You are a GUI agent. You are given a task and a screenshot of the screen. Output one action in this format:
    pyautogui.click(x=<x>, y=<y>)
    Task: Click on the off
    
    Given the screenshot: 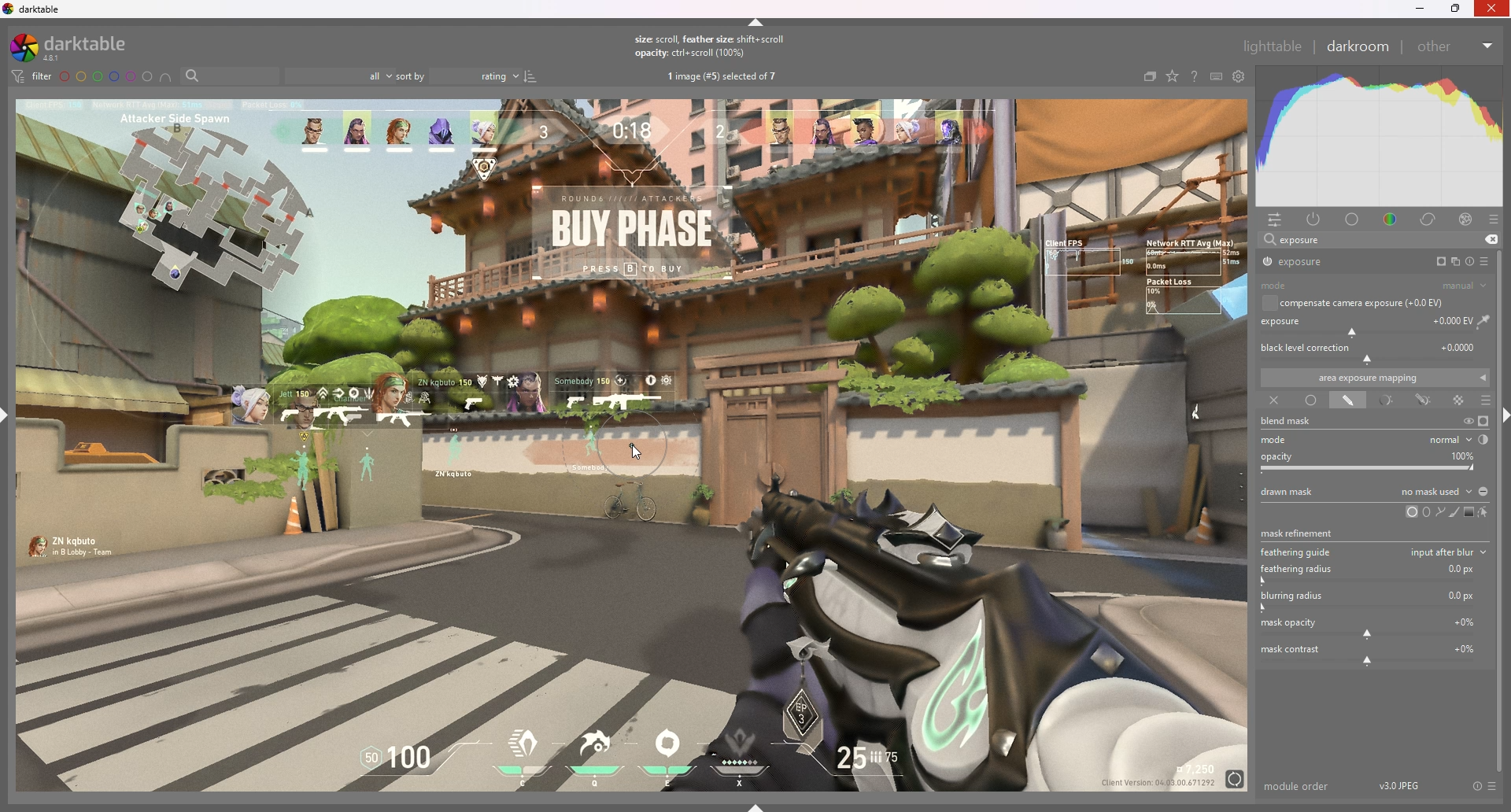 What is the action you would take?
    pyautogui.click(x=1272, y=401)
    